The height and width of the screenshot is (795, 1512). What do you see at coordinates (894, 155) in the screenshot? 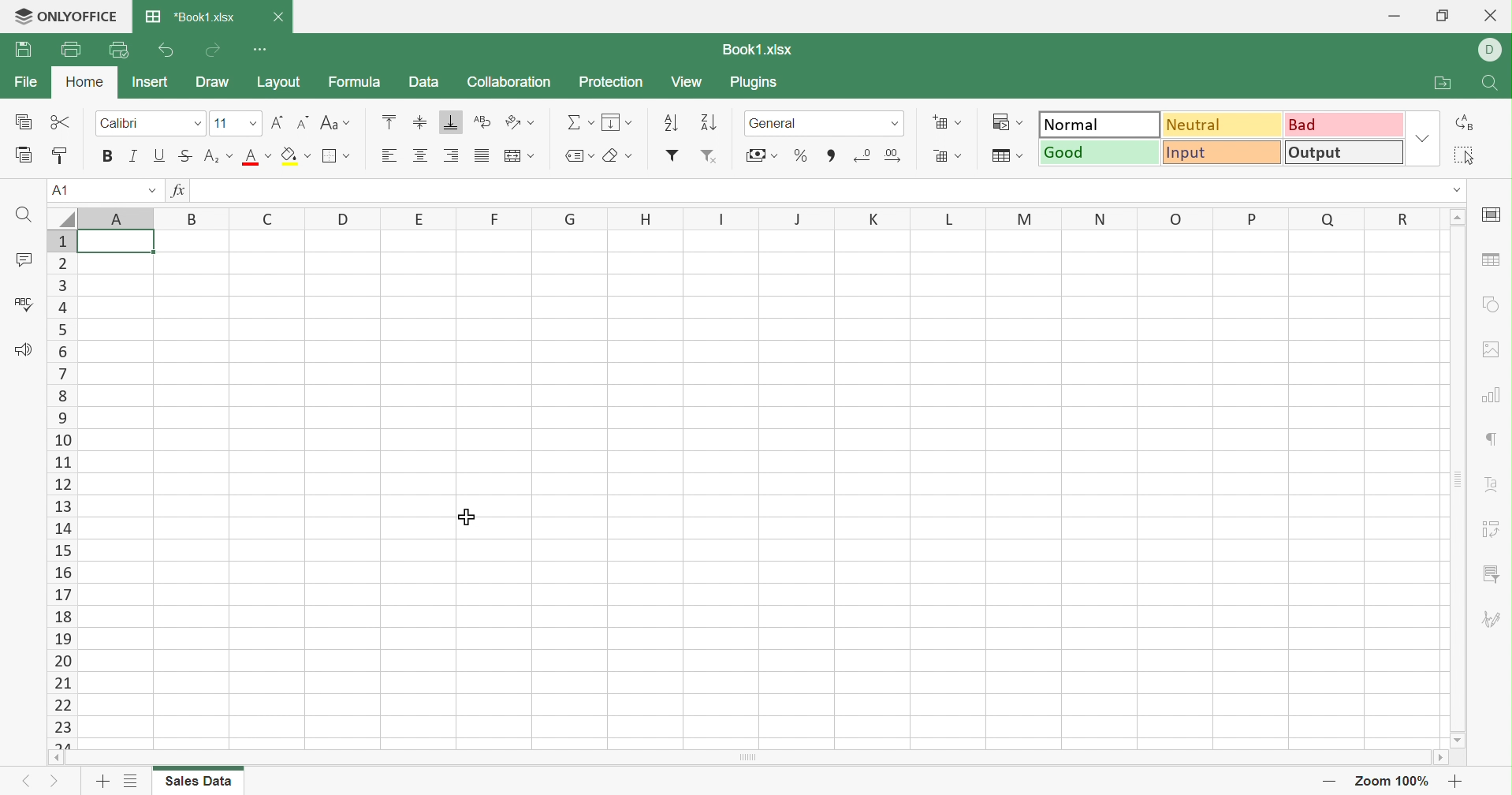
I see `Remove decimals` at bounding box center [894, 155].